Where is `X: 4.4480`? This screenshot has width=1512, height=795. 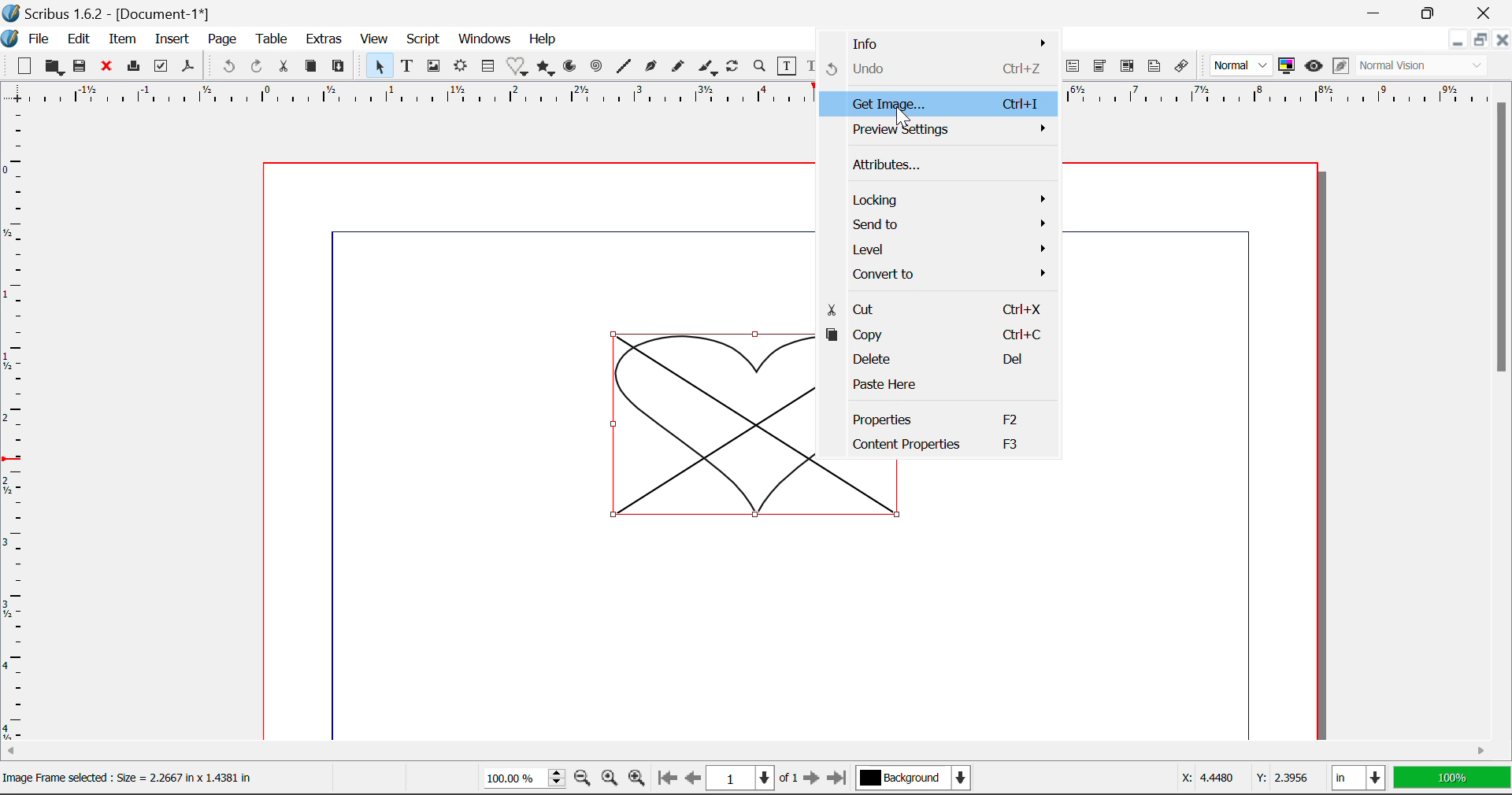 X: 4.4480 is located at coordinates (1206, 778).